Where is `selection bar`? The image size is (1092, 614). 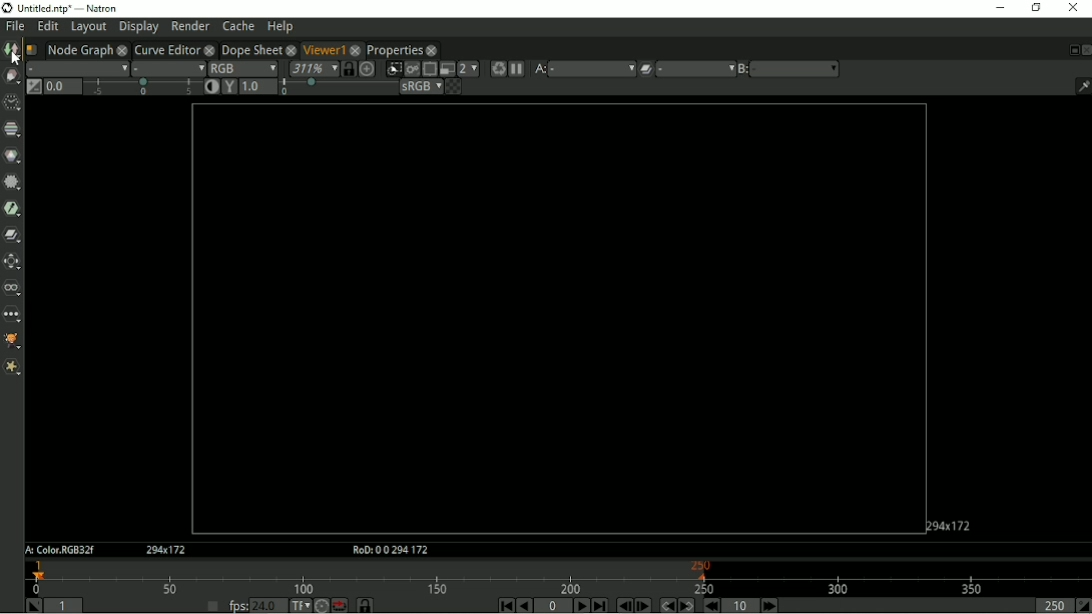
selection bar is located at coordinates (142, 87).